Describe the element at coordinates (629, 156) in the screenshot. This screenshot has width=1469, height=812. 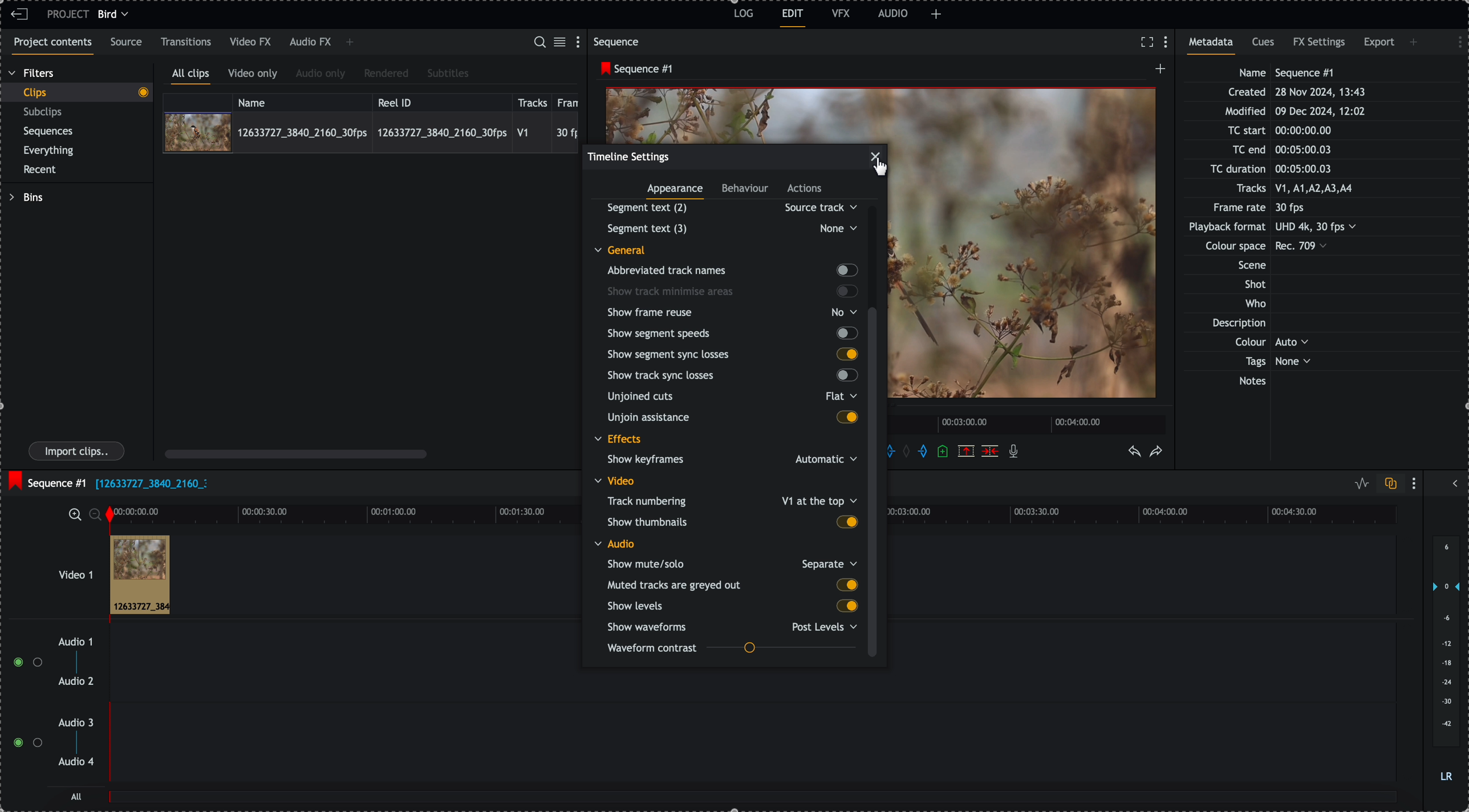
I see `timeline settings` at that location.